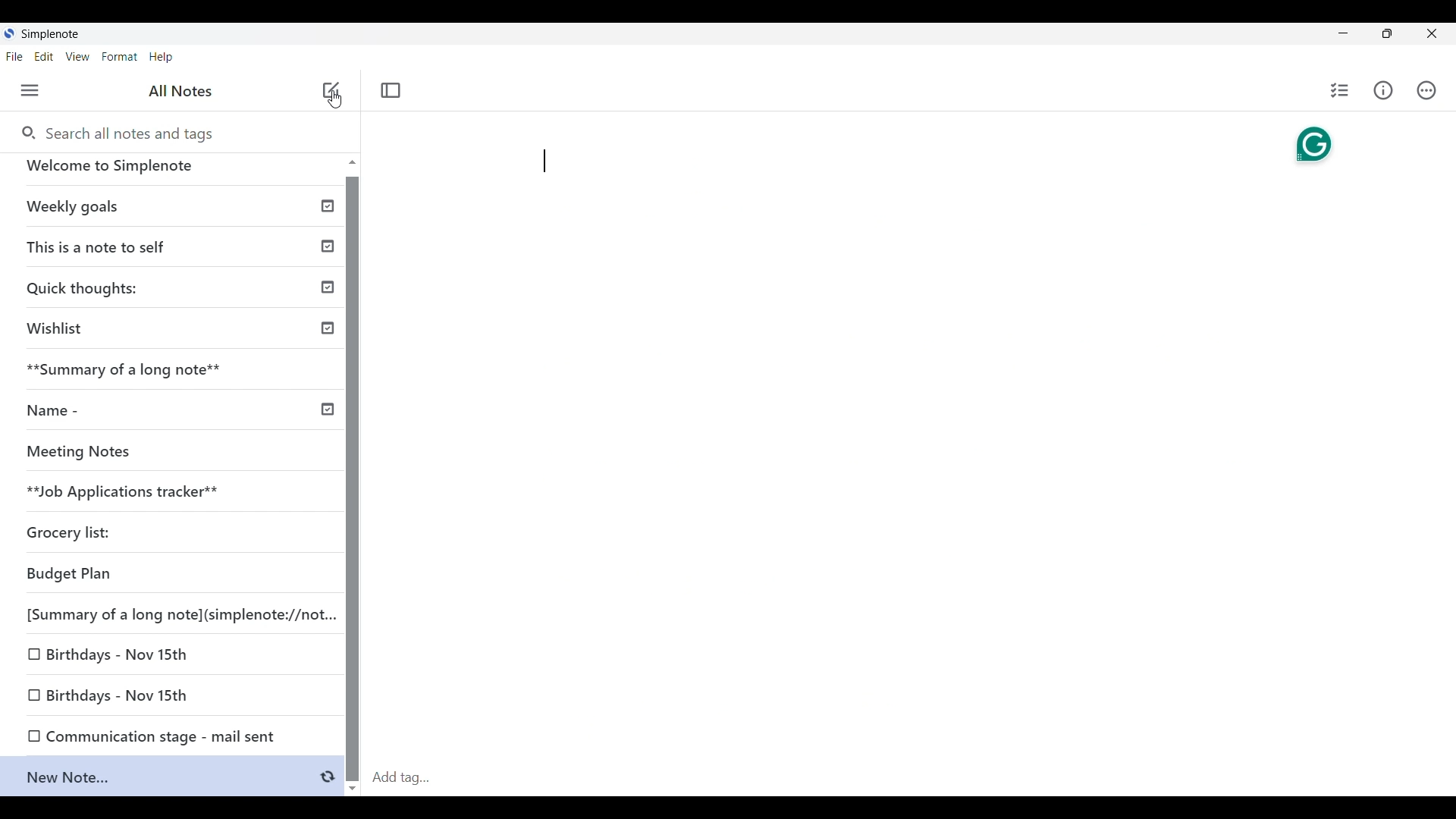  I want to click on Menu, so click(30, 90).